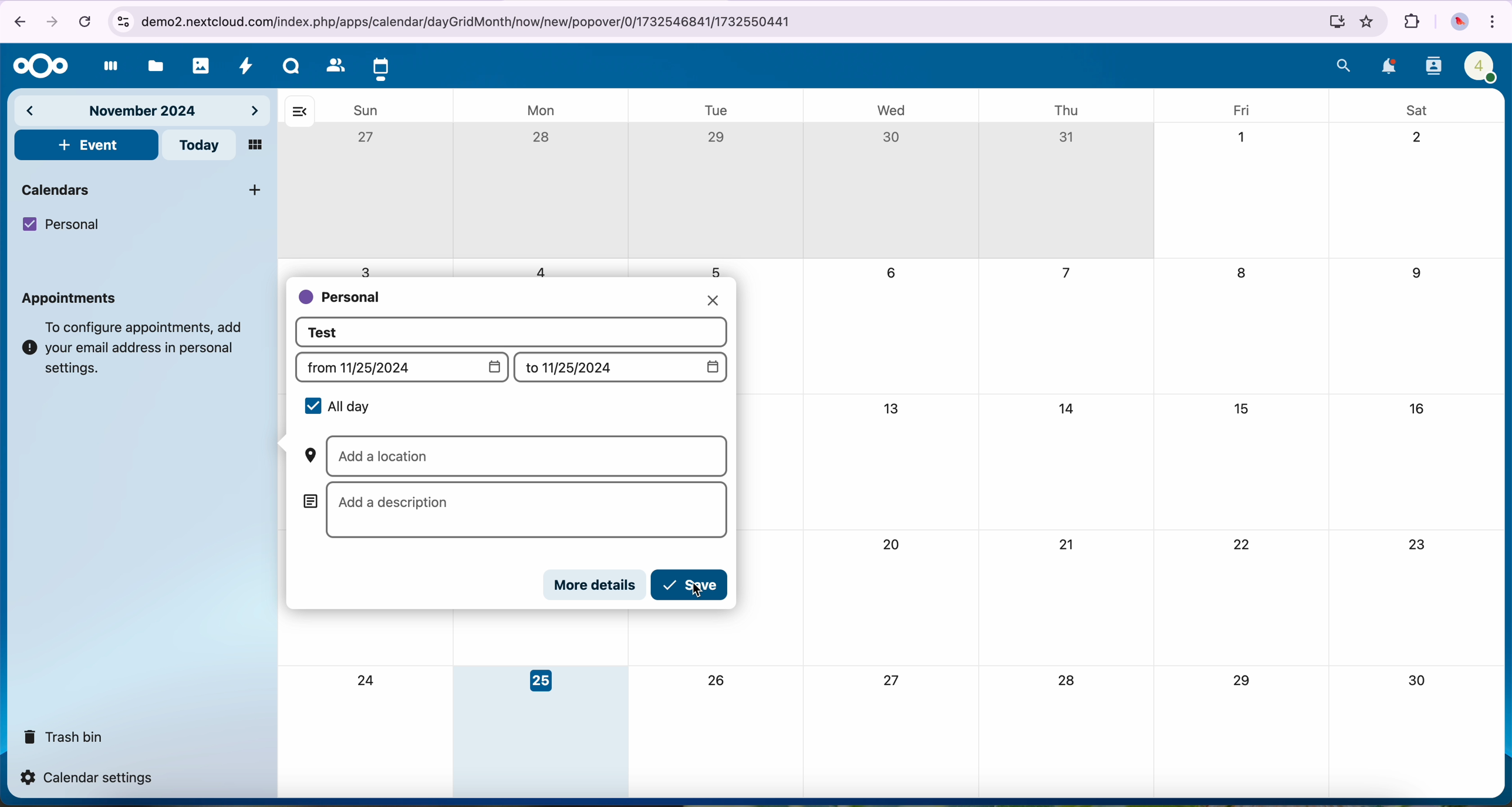 This screenshot has width=1512, height=807. Describe the element at coordinates (1067, 682) in the screenshot. I see `28` at that location.